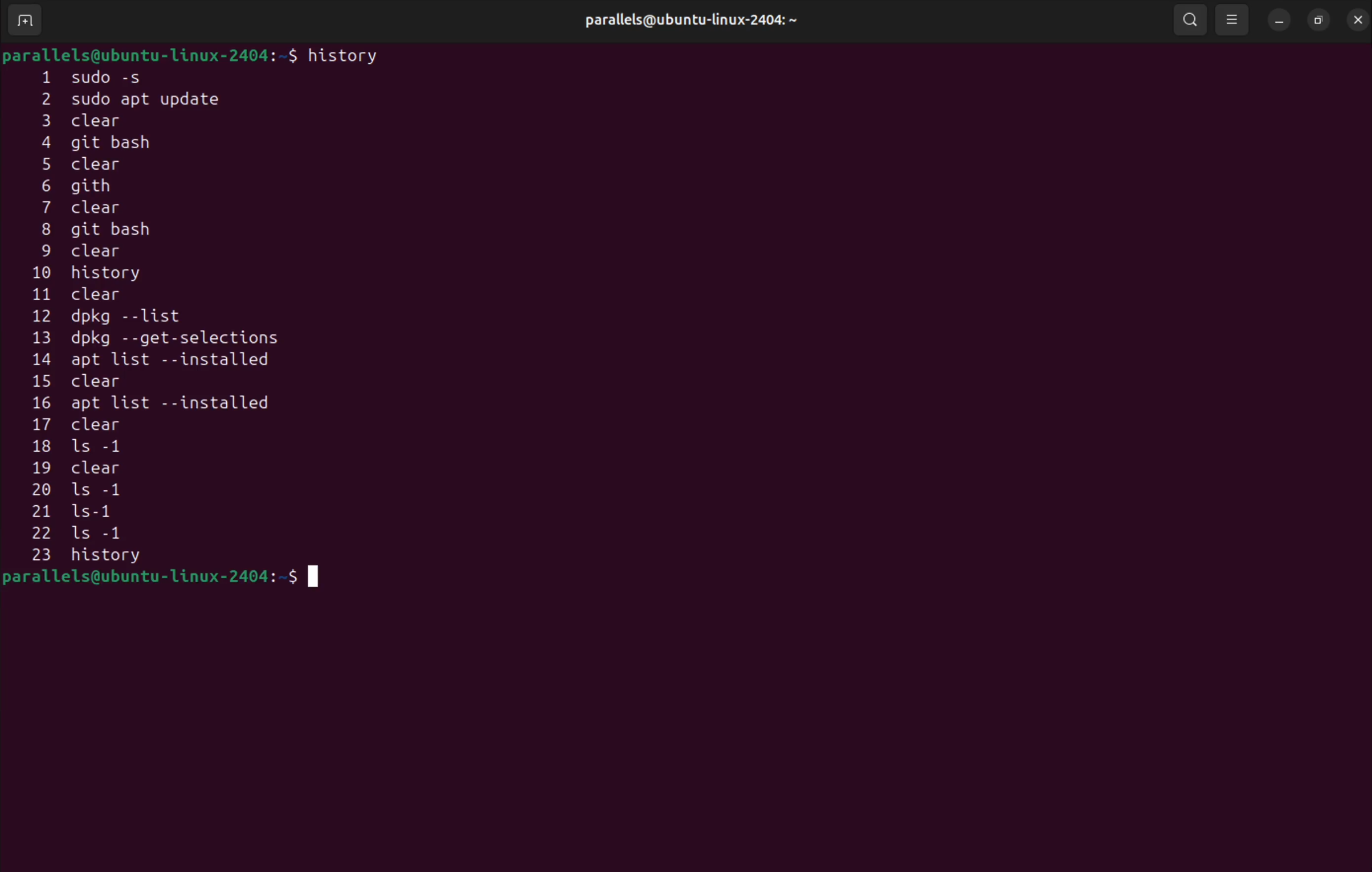 The image size is (1372, 872). Describe the element at coordinates (96, 294) in the screenshot. I see `11 clear` at that location.